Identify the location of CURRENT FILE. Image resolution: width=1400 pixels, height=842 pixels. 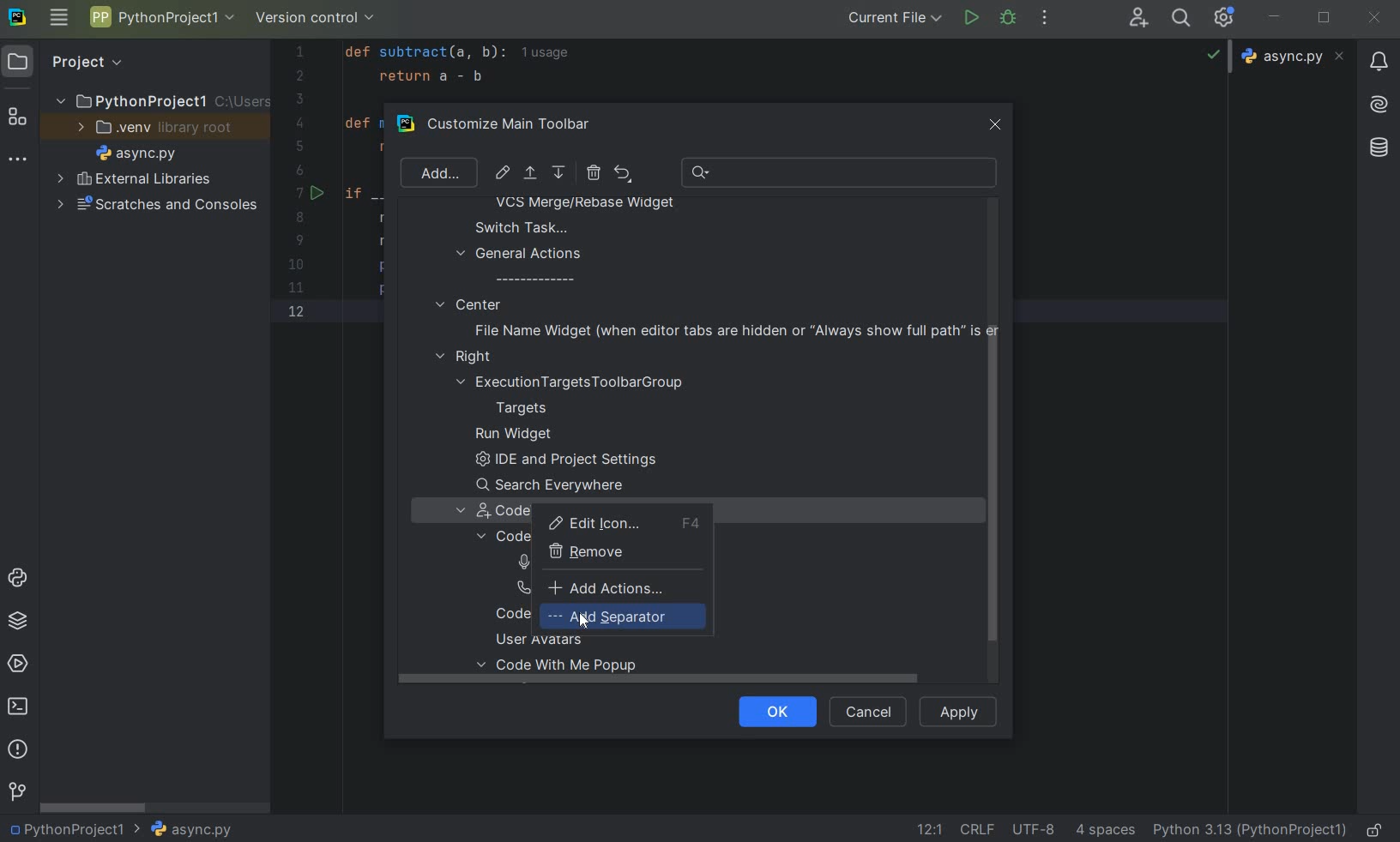
(895, 17).